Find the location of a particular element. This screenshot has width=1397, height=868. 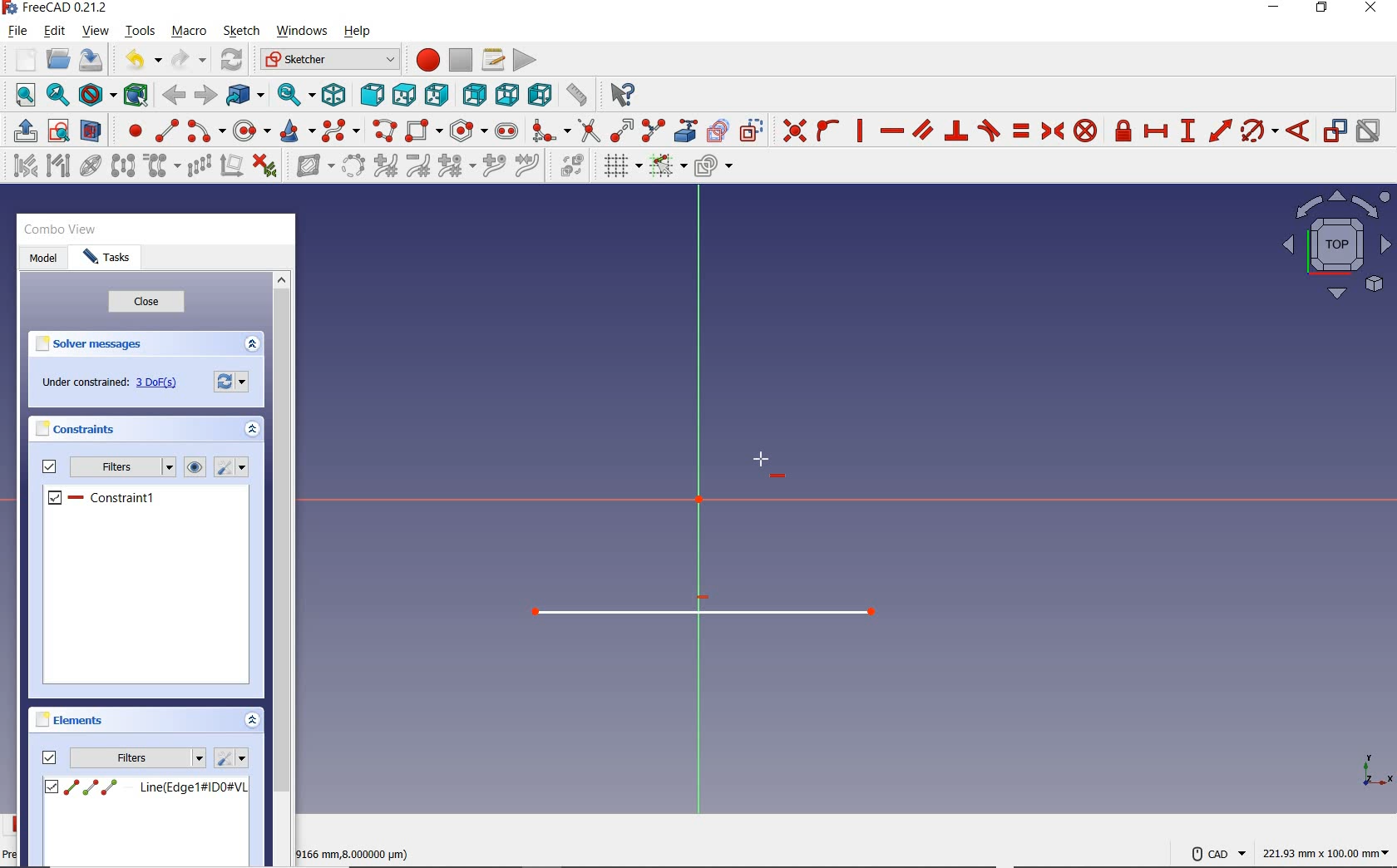

MODIFY KNOT MULTIPLICITY is located at coordinates (455, 165).